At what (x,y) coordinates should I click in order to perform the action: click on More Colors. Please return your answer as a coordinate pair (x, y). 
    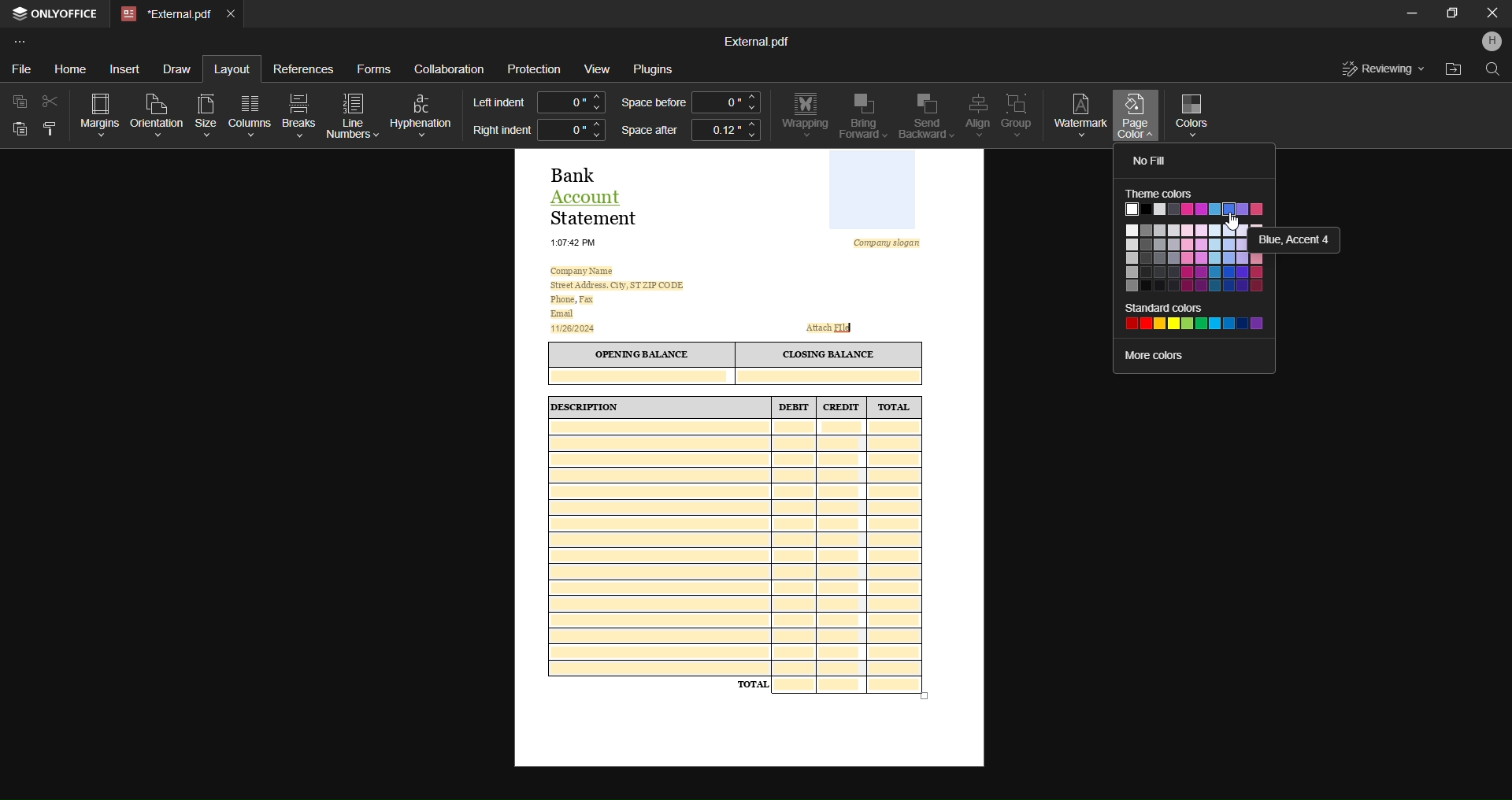
    Looking at the image, I should click on (1169, 355).